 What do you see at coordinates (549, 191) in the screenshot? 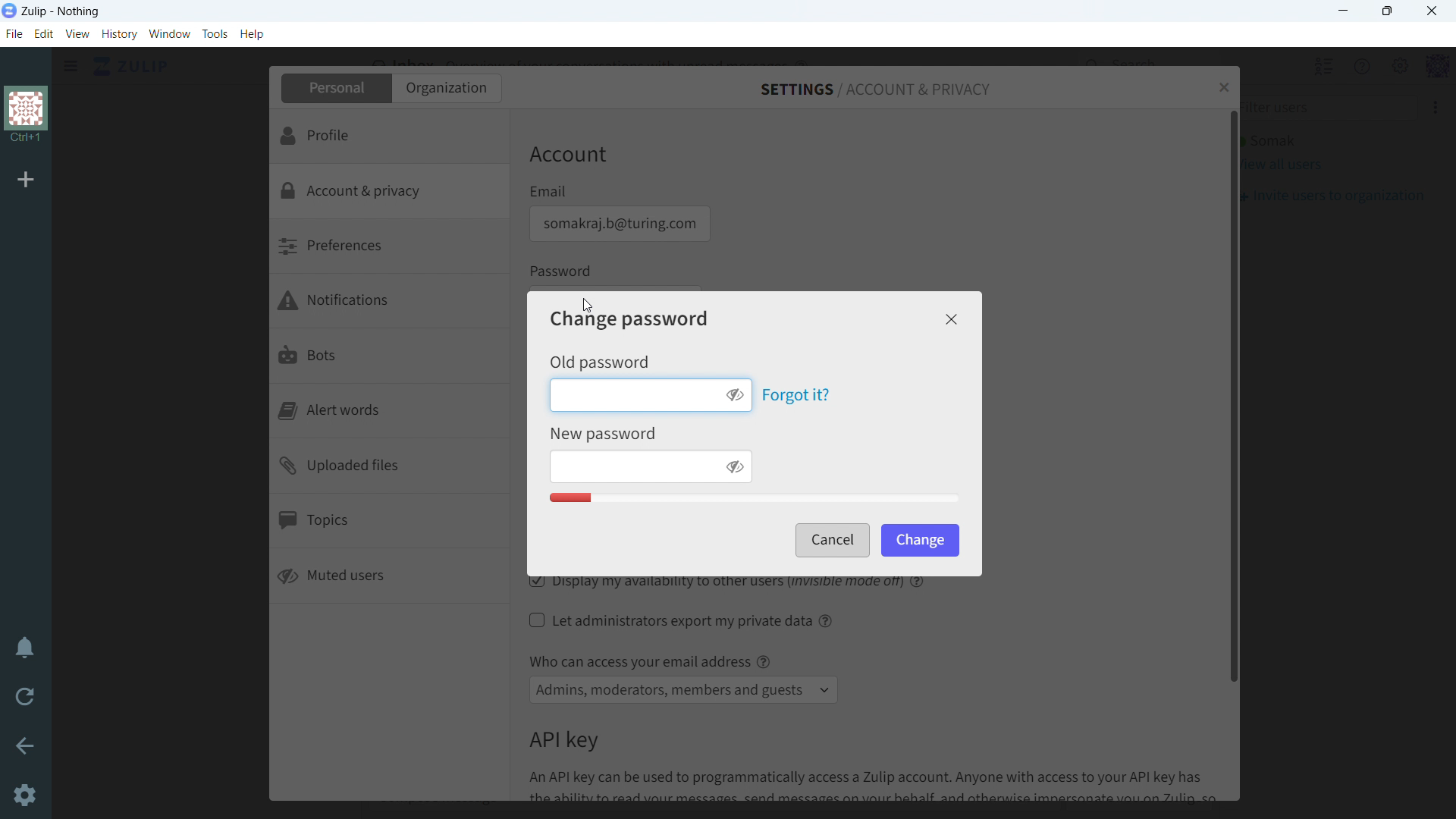
I see `Email` at bounding box center [549, 191].